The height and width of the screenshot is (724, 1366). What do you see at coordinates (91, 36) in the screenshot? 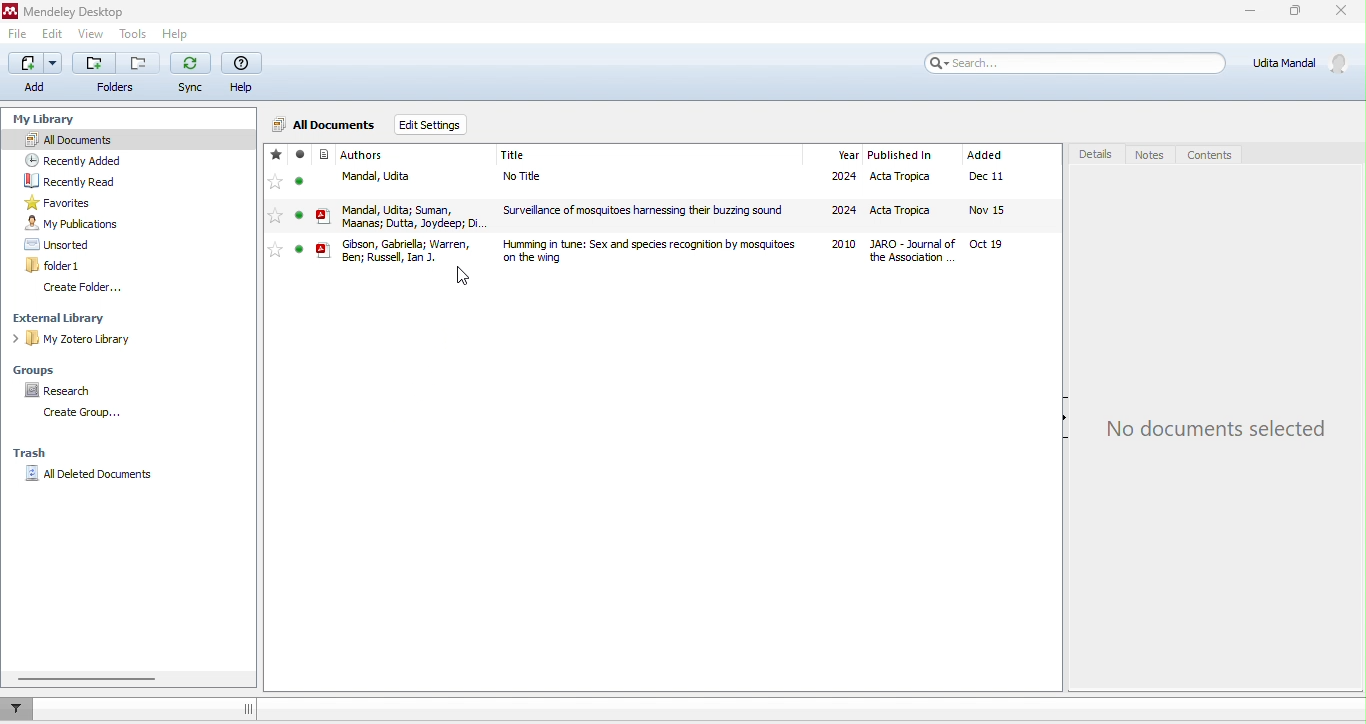
I see `view` at bounding box center [91, 36].